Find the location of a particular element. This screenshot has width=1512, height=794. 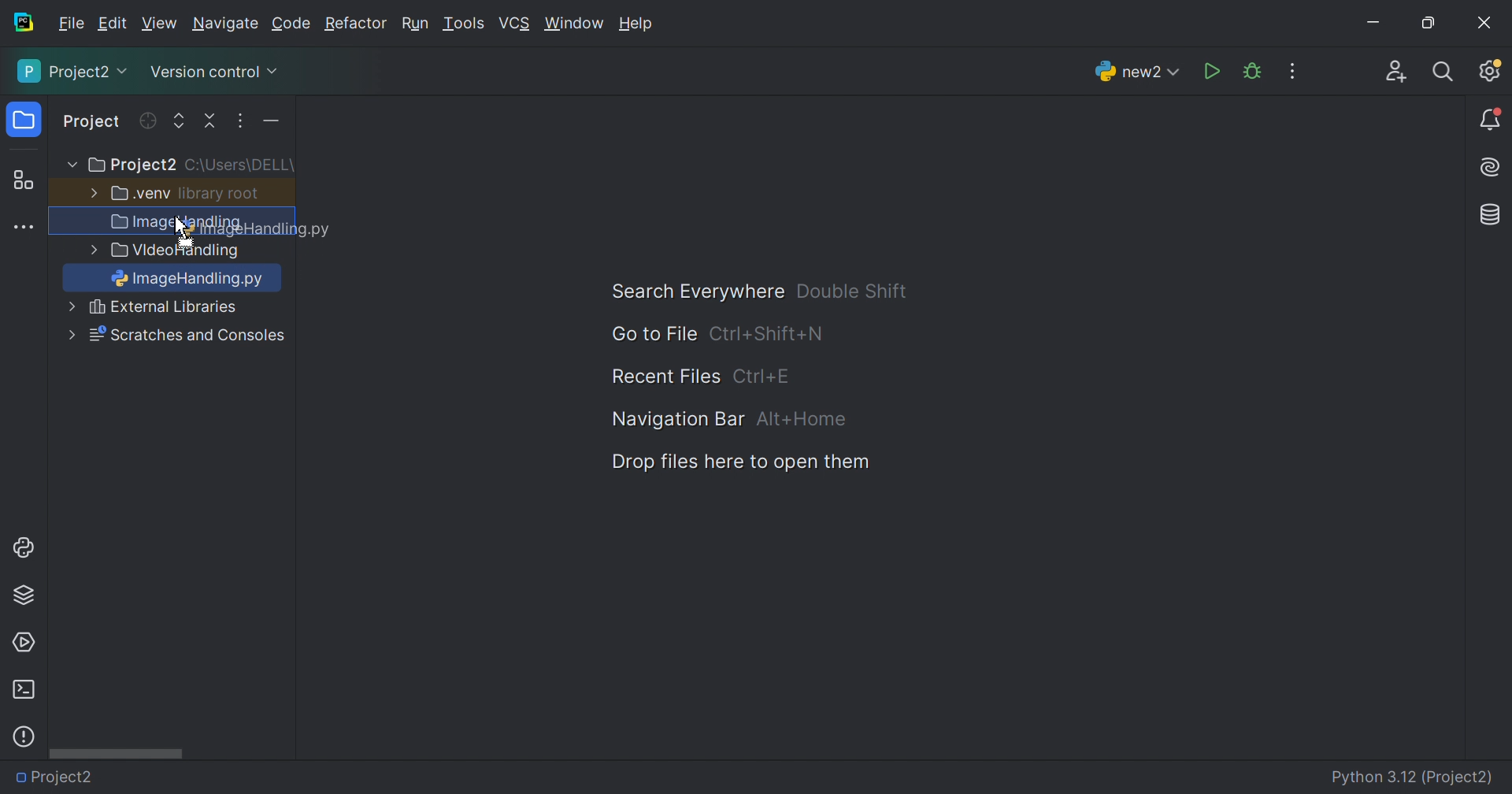

Project2 is located at coordinates (74, 71).